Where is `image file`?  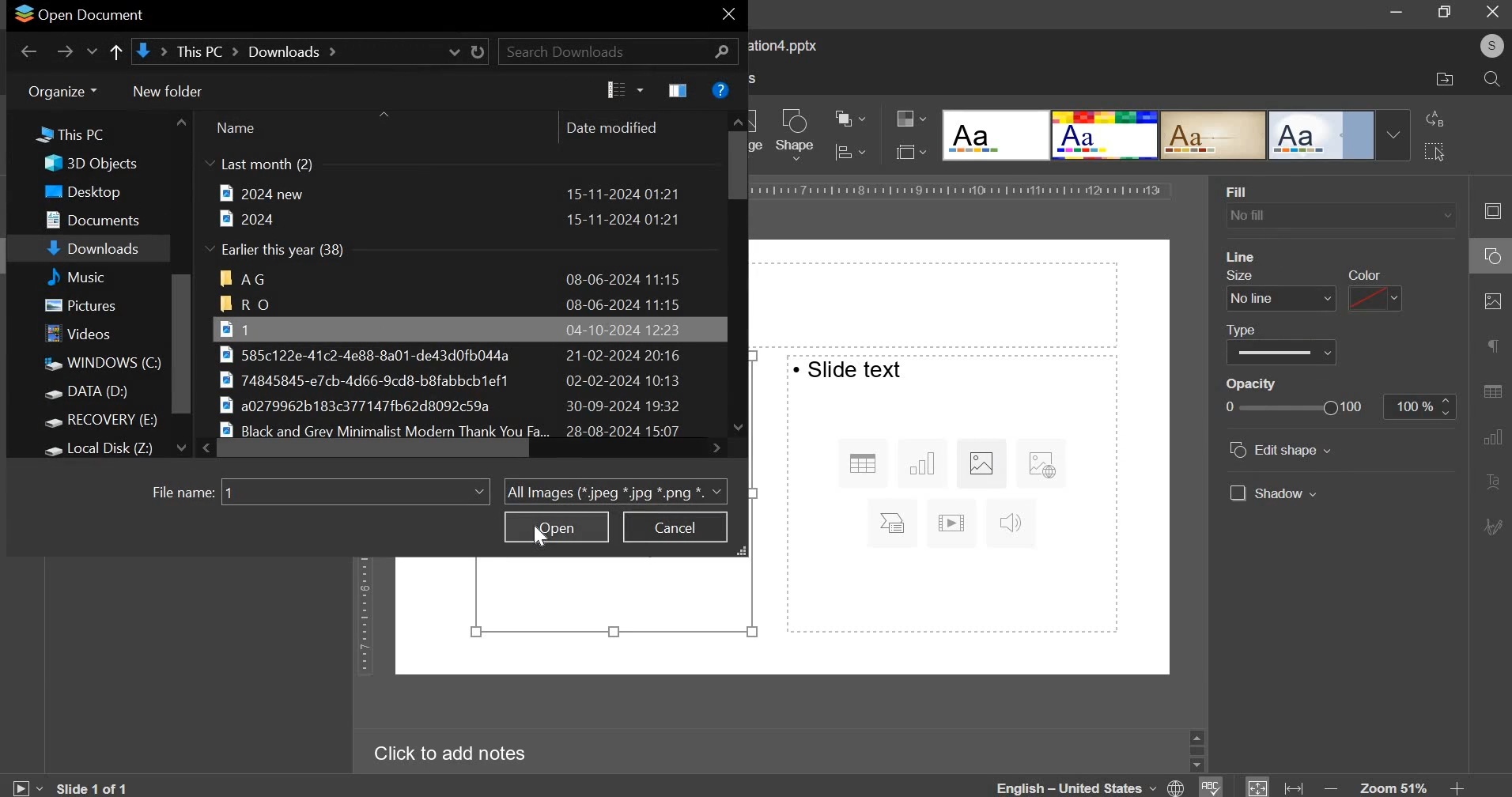
image file is located at coordinates (461, 406).